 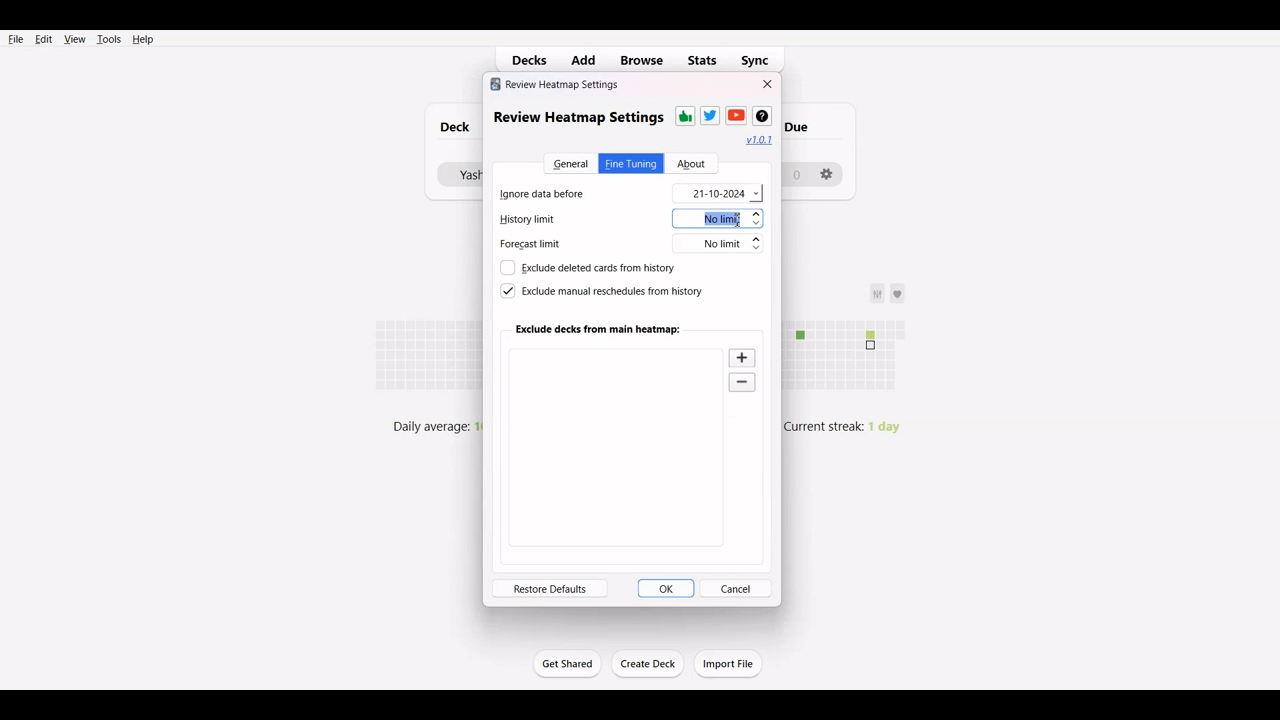 What do you see at coordinates (808, 125) in the screenshot?
I see `due` at bounding box center [808, 125].